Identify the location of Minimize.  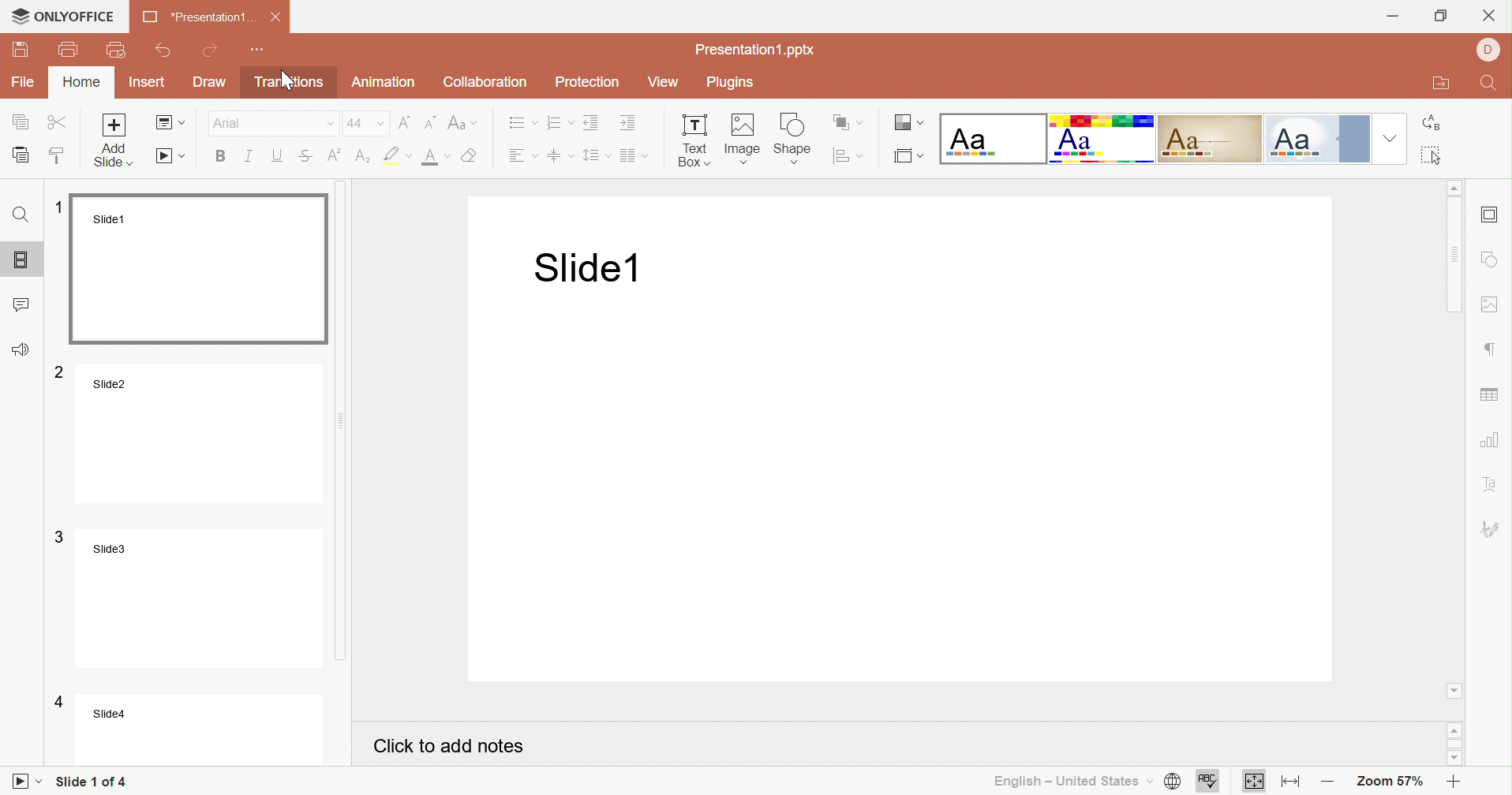
(1392, 15).